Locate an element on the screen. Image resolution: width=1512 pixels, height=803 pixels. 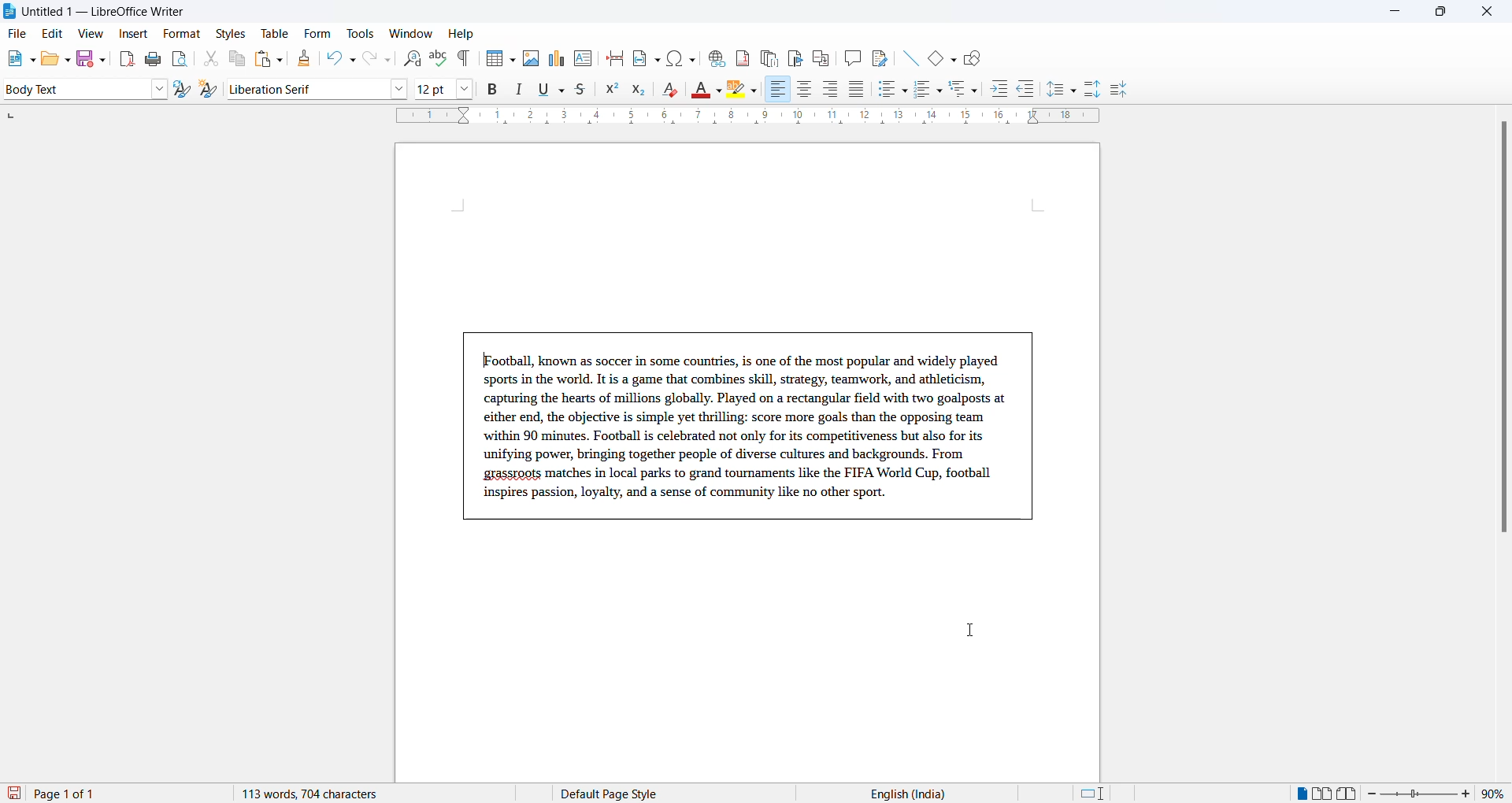
multi page view is located at coordinates (1324, 794).